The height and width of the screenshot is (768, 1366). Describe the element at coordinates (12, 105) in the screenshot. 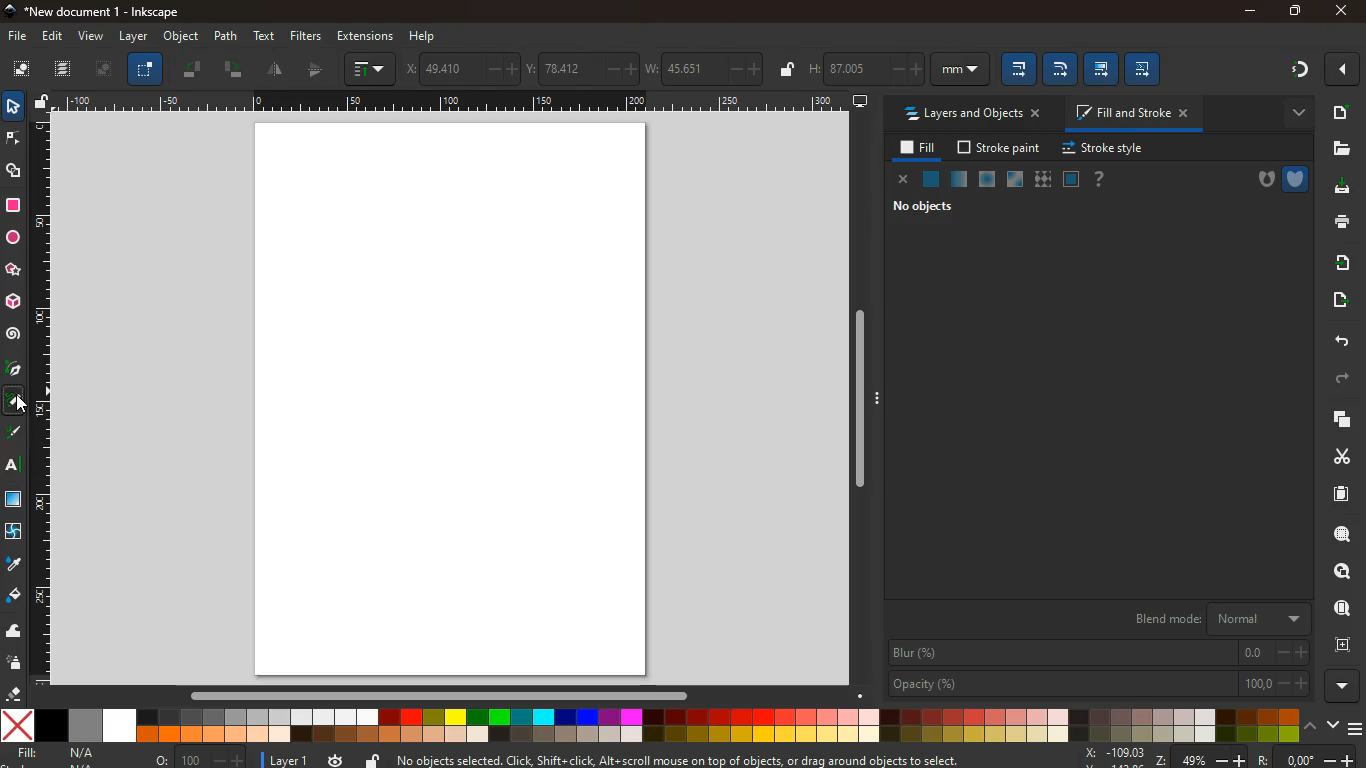

I see `select` at that location.